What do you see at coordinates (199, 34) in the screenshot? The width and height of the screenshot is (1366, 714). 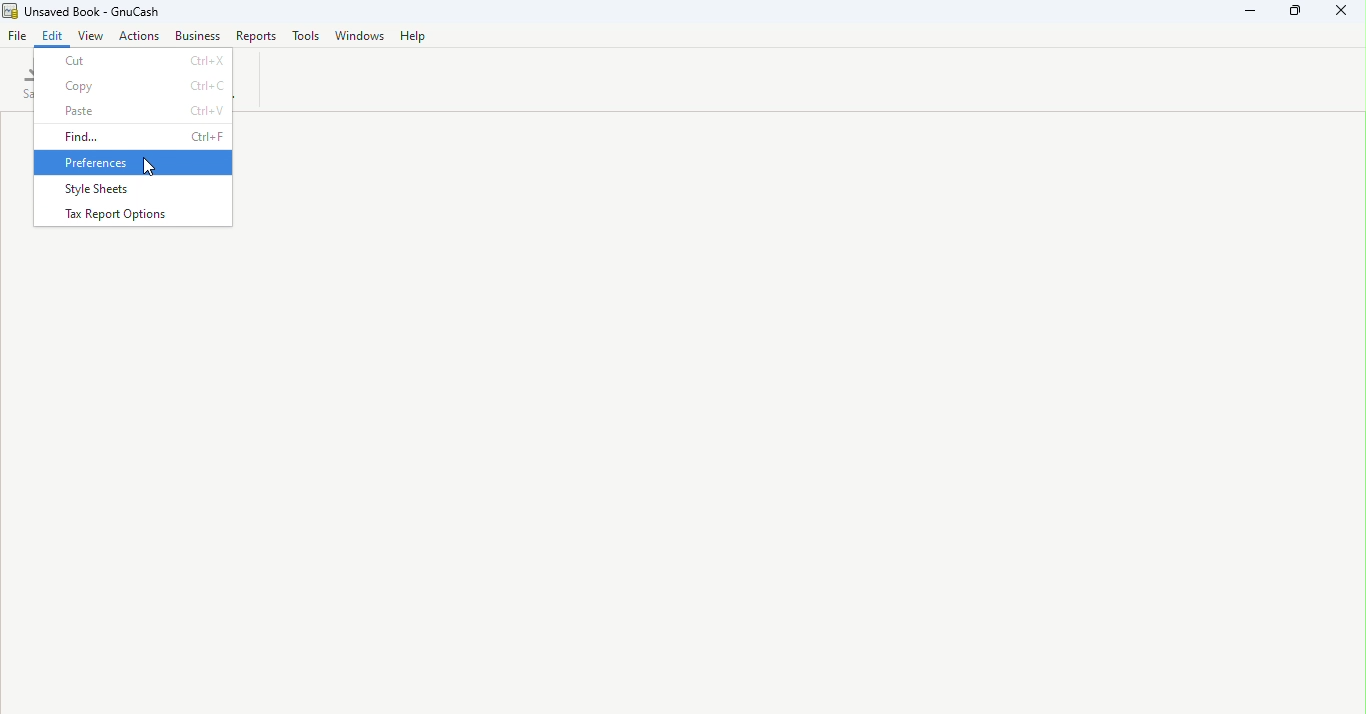 I see `Business` at bounding box center [199, 34].